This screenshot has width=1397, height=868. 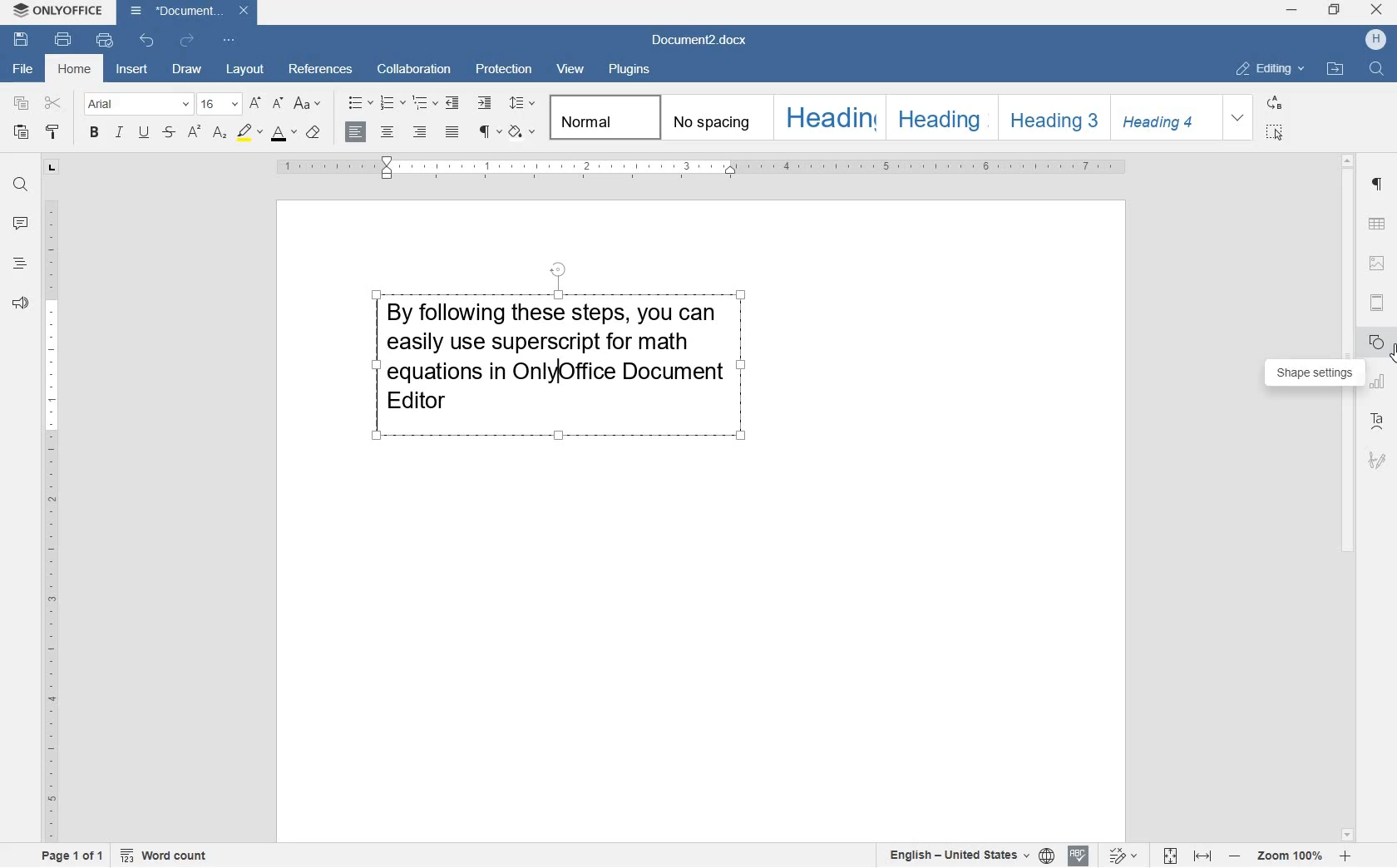 I want to click on paragraph settings, so click(x=1377, y=185).